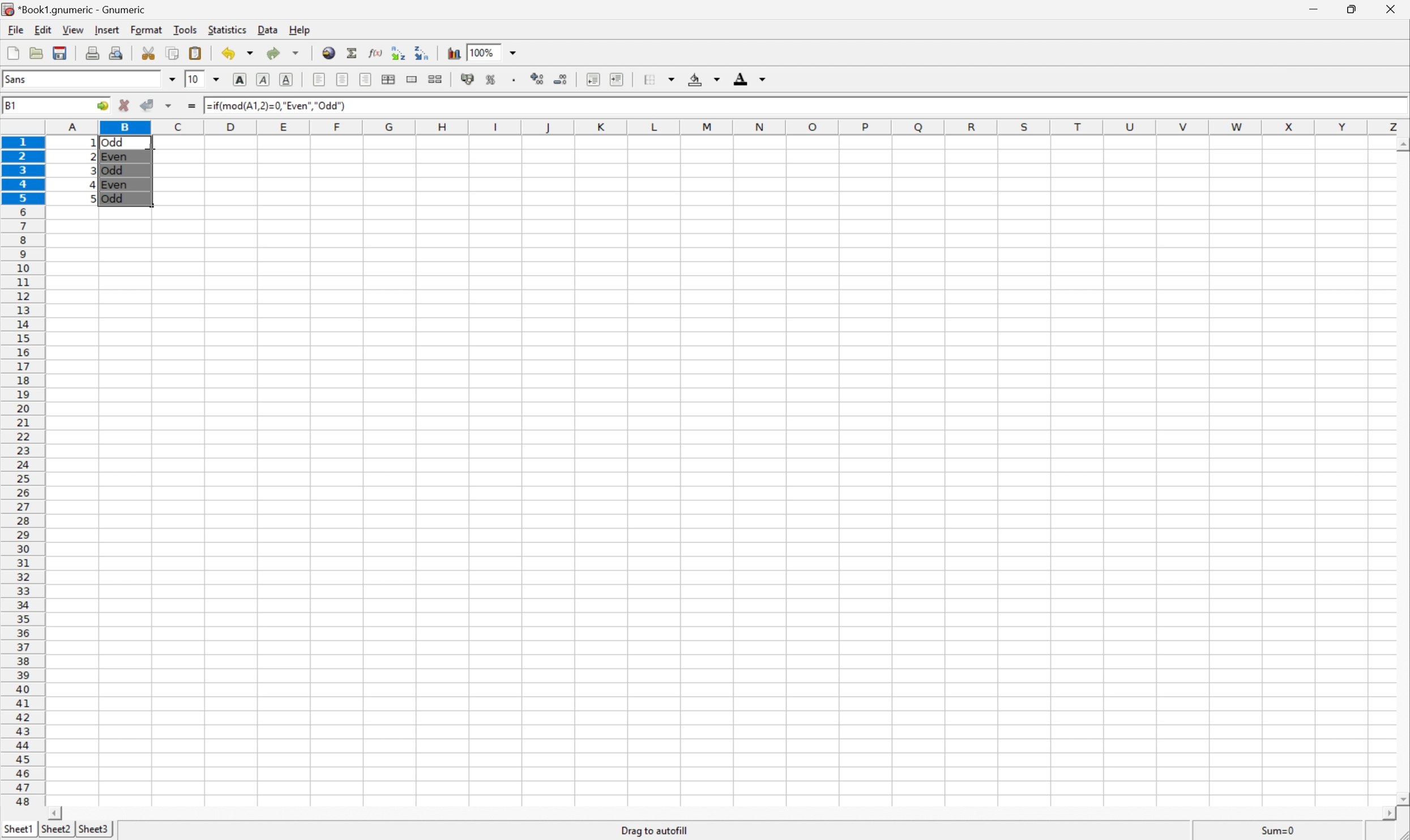 Image resolution: width=1410 pixels, height=840 pixels. What do you see at coordinates (15, 104) in the screenshot?
I see `B2` at bounding box center [15, 104].